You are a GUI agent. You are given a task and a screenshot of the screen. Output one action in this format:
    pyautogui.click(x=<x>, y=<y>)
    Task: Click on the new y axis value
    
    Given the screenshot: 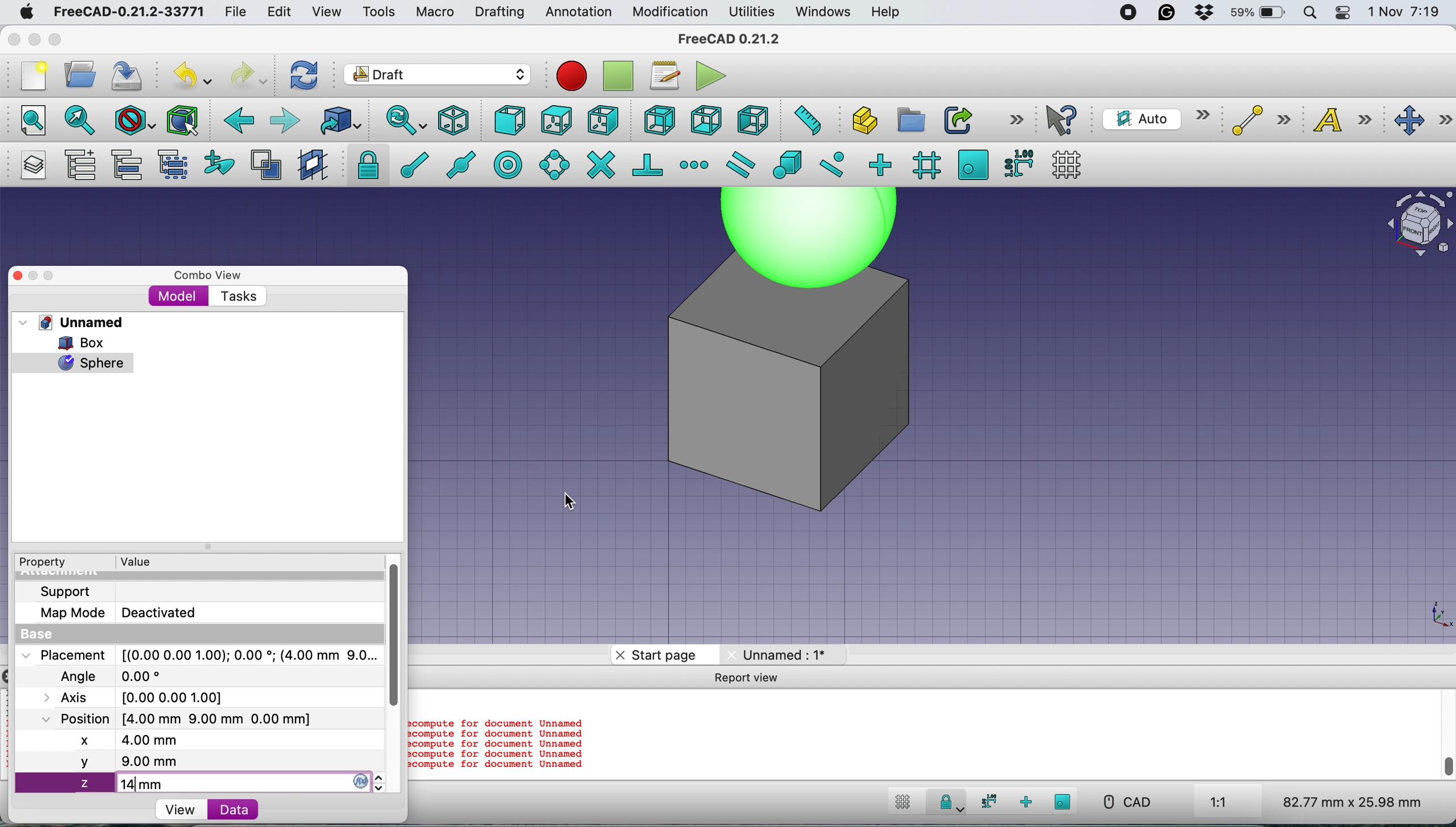 What is the action you would take?
    pyautogui.click(x=104, y=762)
    